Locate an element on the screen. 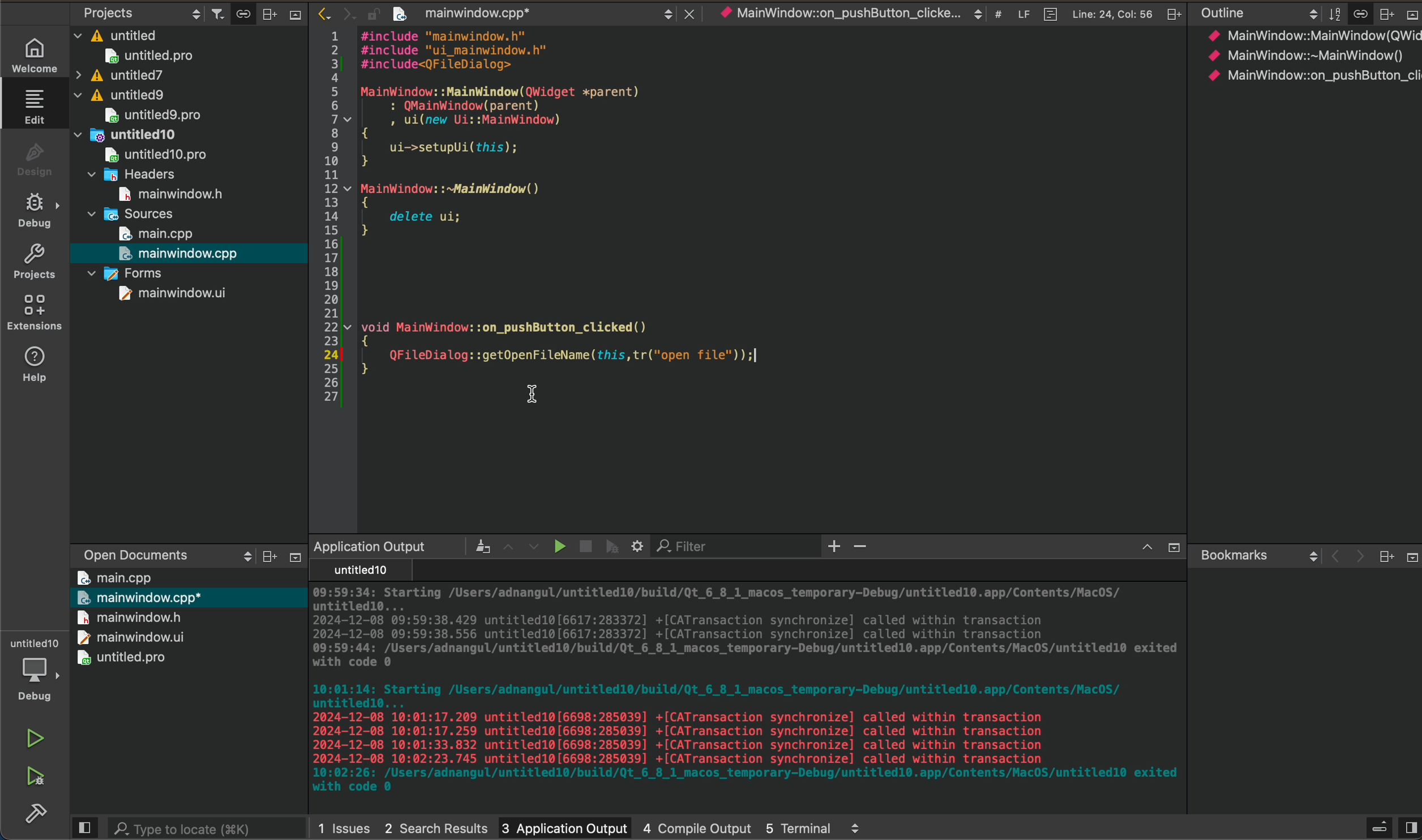 The height and width of the screenshot is (840, 1422).  is located at coordinates (1385, 13).